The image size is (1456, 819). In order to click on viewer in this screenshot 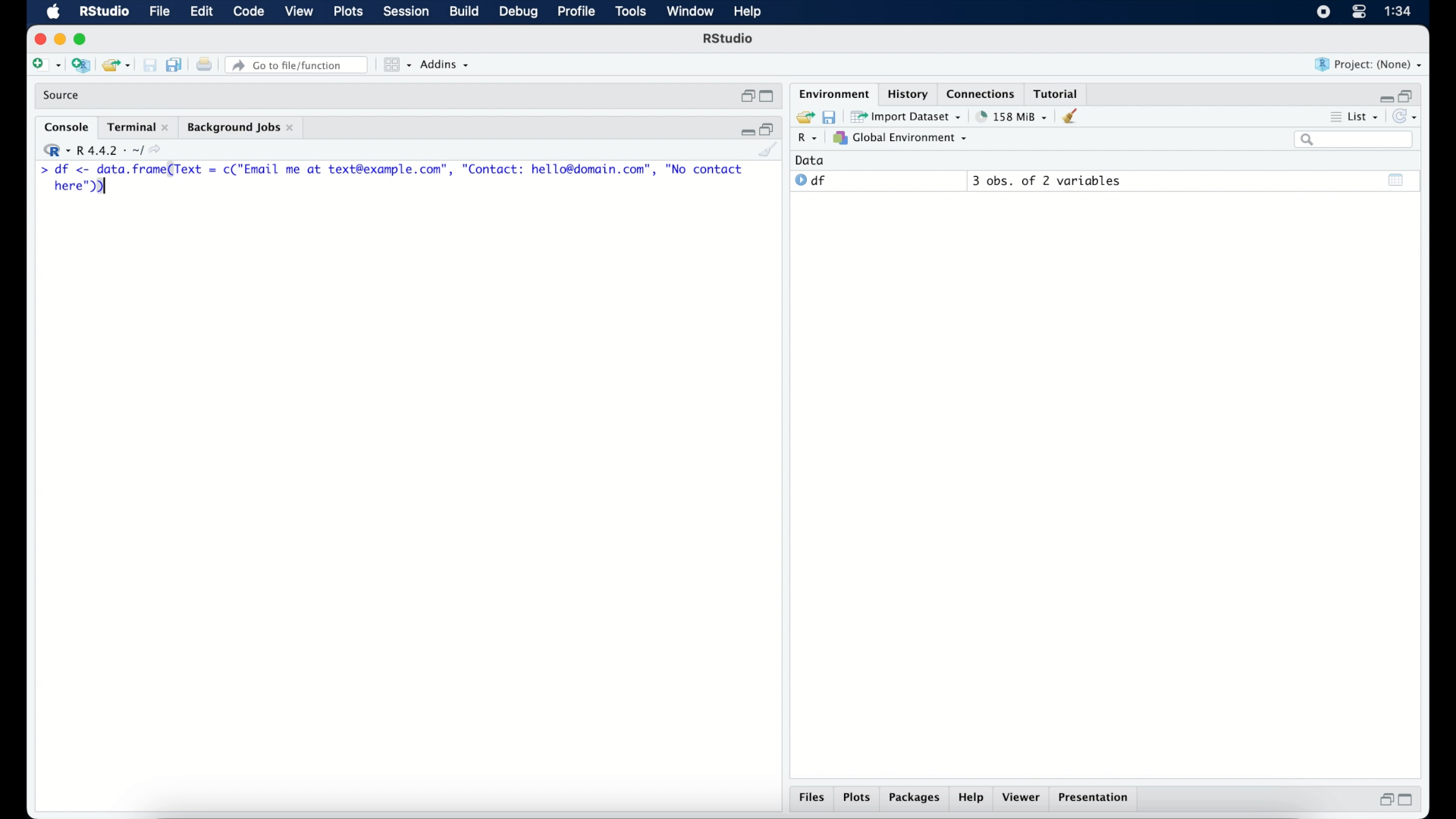, I will do `click(1023, 798)`.